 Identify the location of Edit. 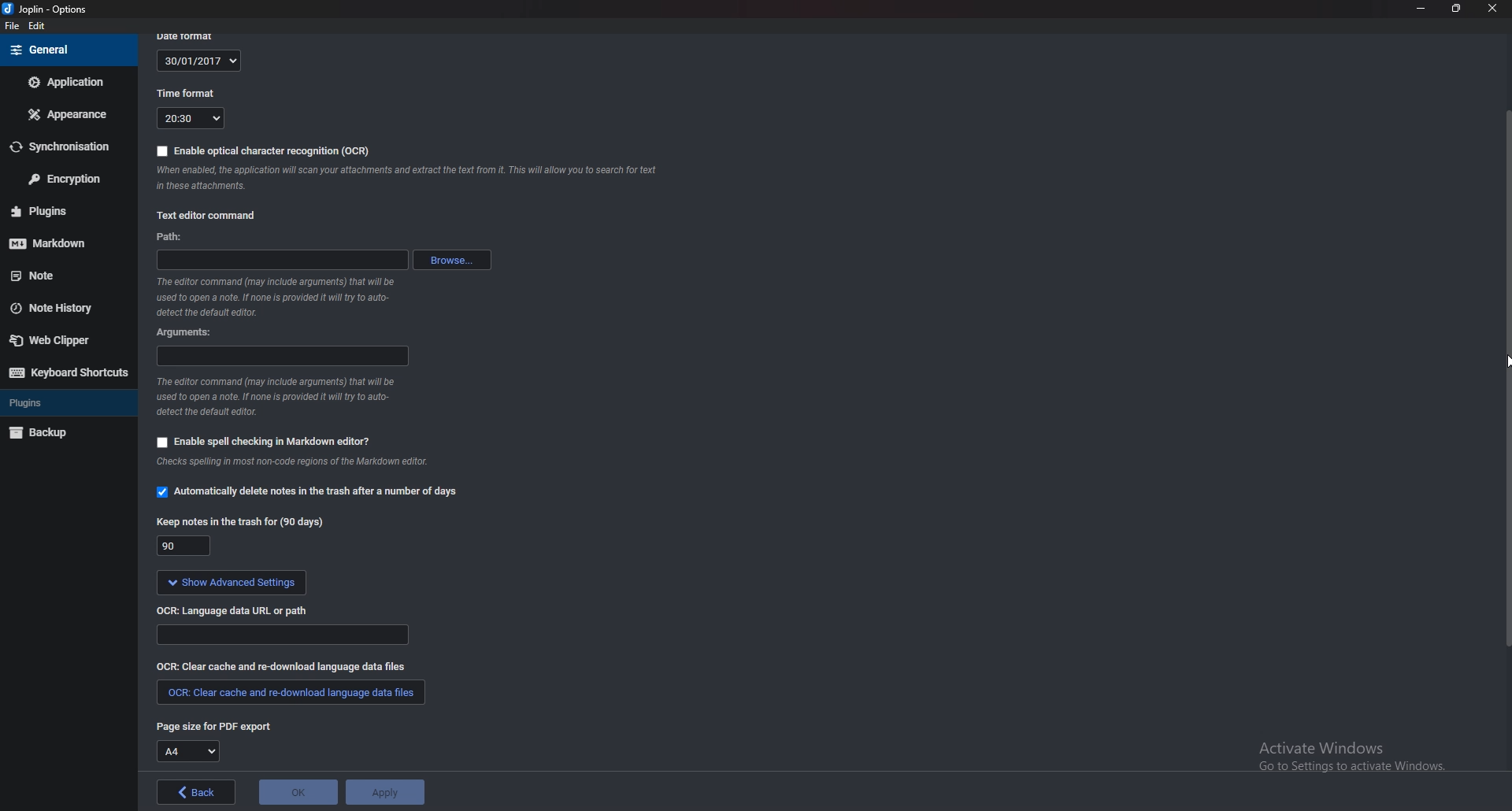
(37, 27).